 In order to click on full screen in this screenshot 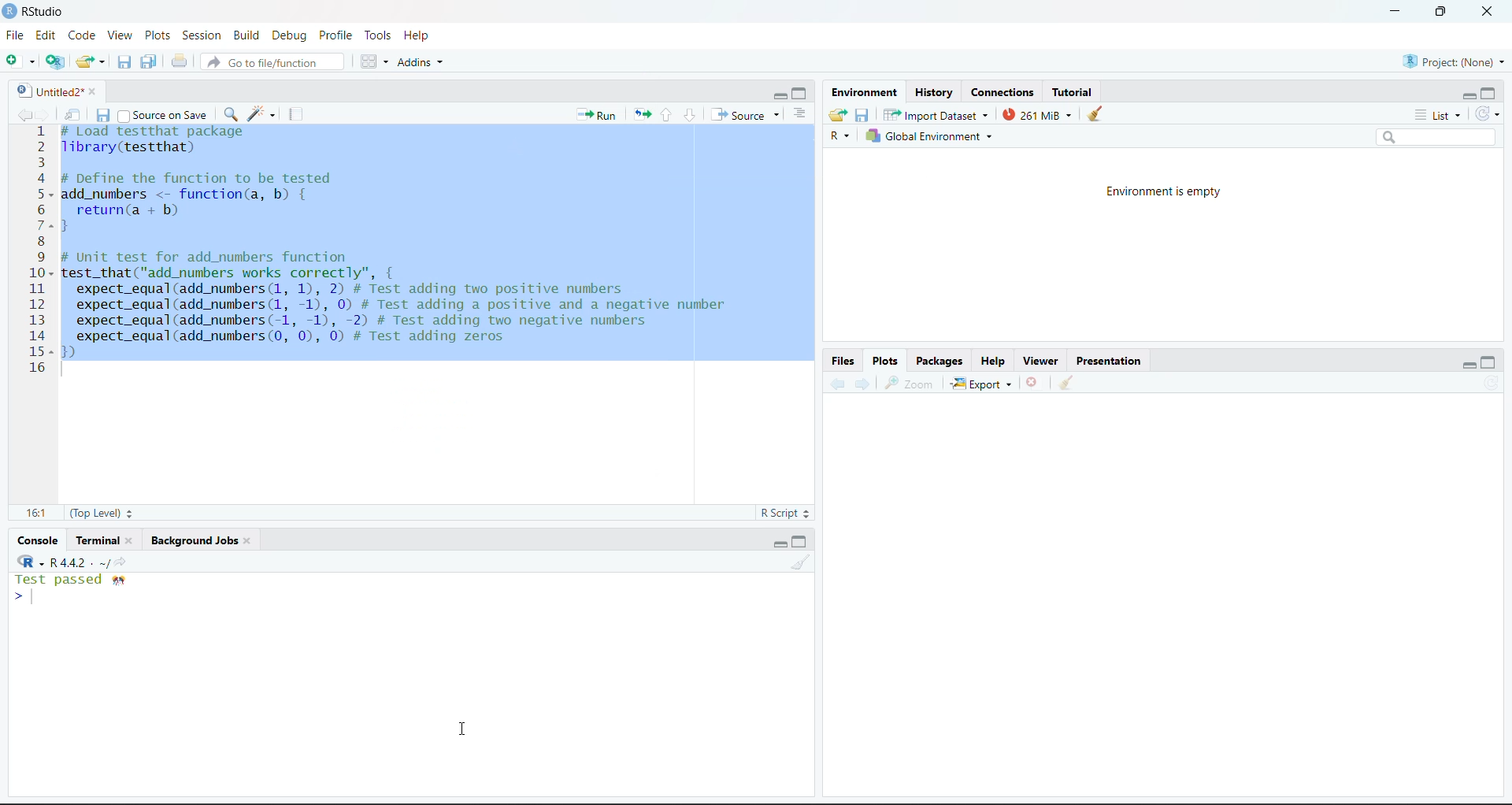, I will do `click(1441, 13)`.